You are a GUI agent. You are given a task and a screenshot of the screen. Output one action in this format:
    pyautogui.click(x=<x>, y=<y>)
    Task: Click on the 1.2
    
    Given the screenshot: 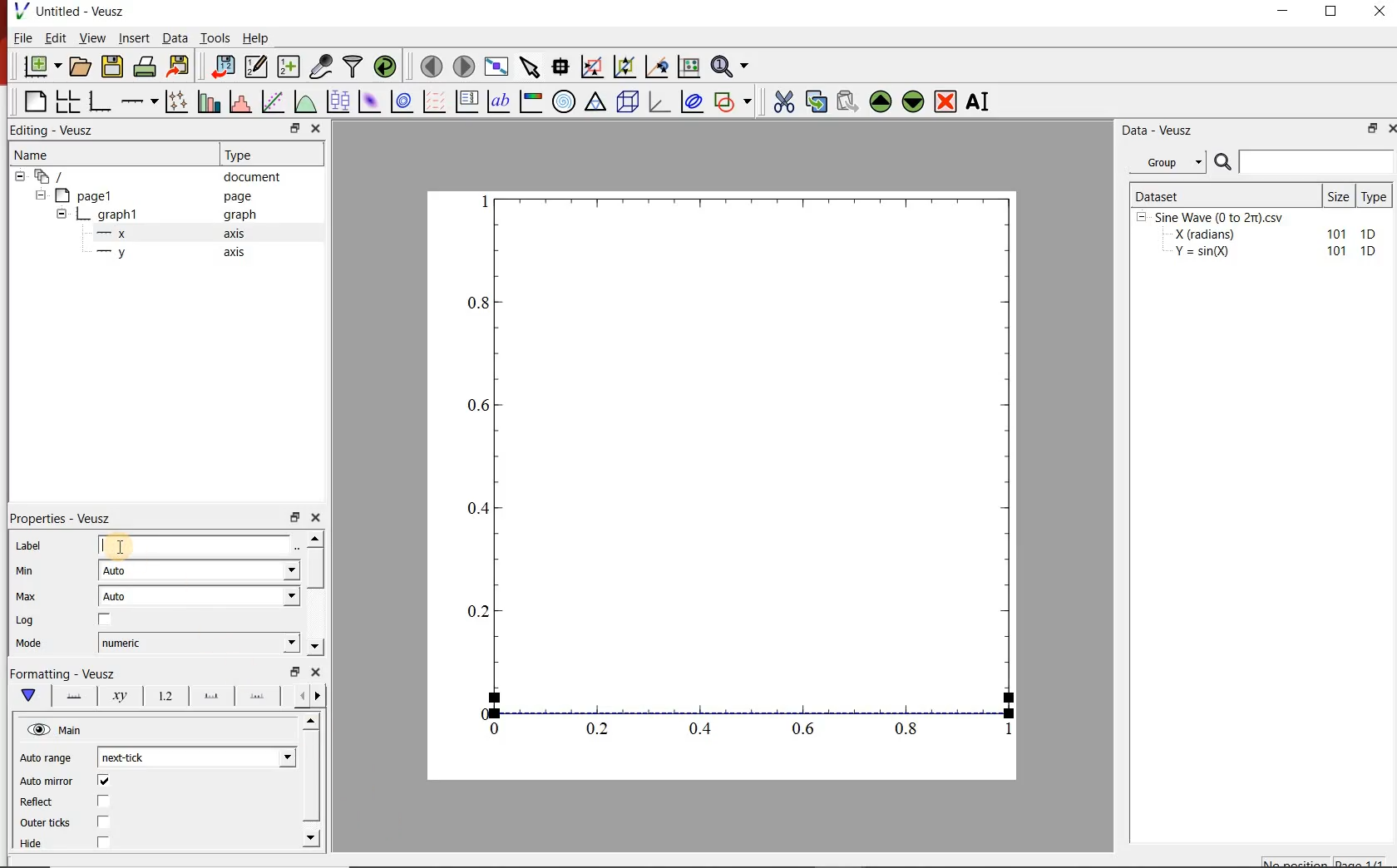 What is the action you would take?
    pyautogui.click(x=163, y=697)
    